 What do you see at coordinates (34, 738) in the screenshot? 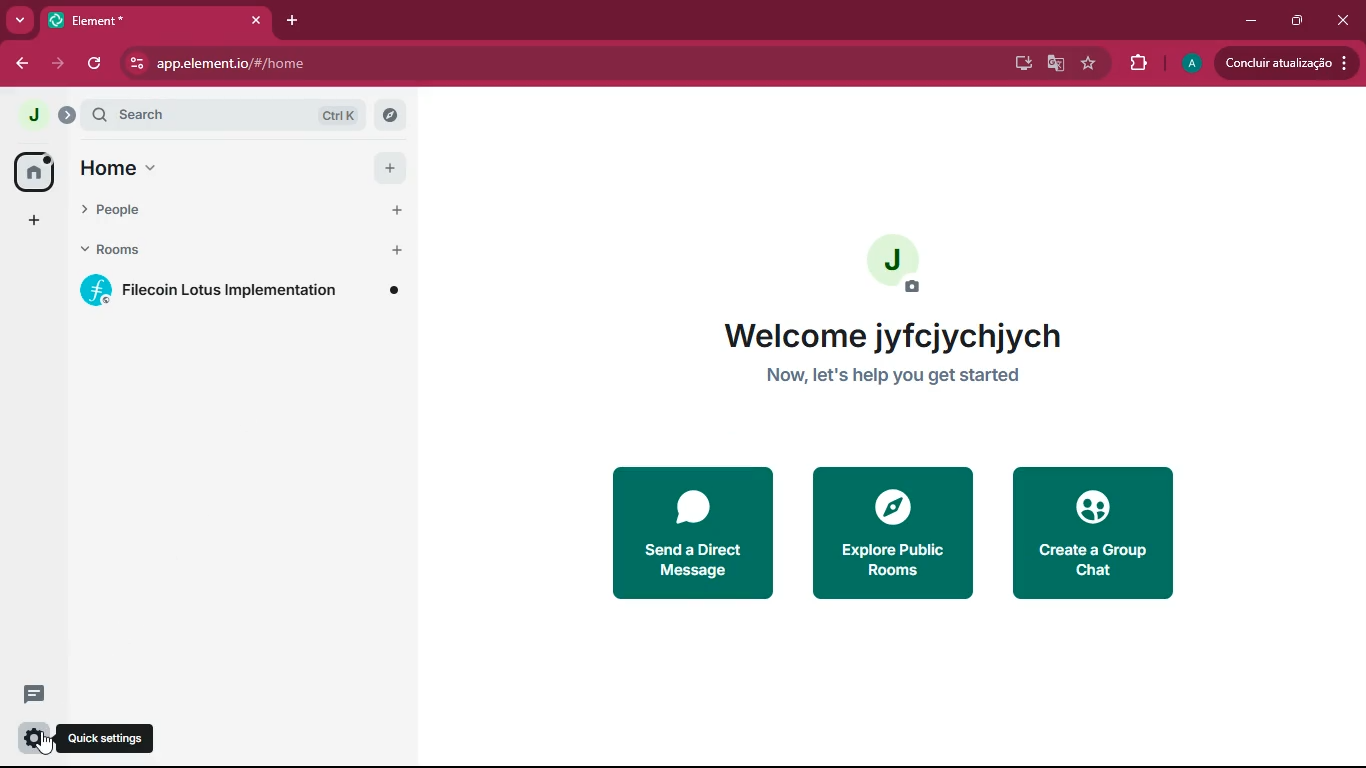
I see `Cursor on settings` at bounding box center [34, 738].